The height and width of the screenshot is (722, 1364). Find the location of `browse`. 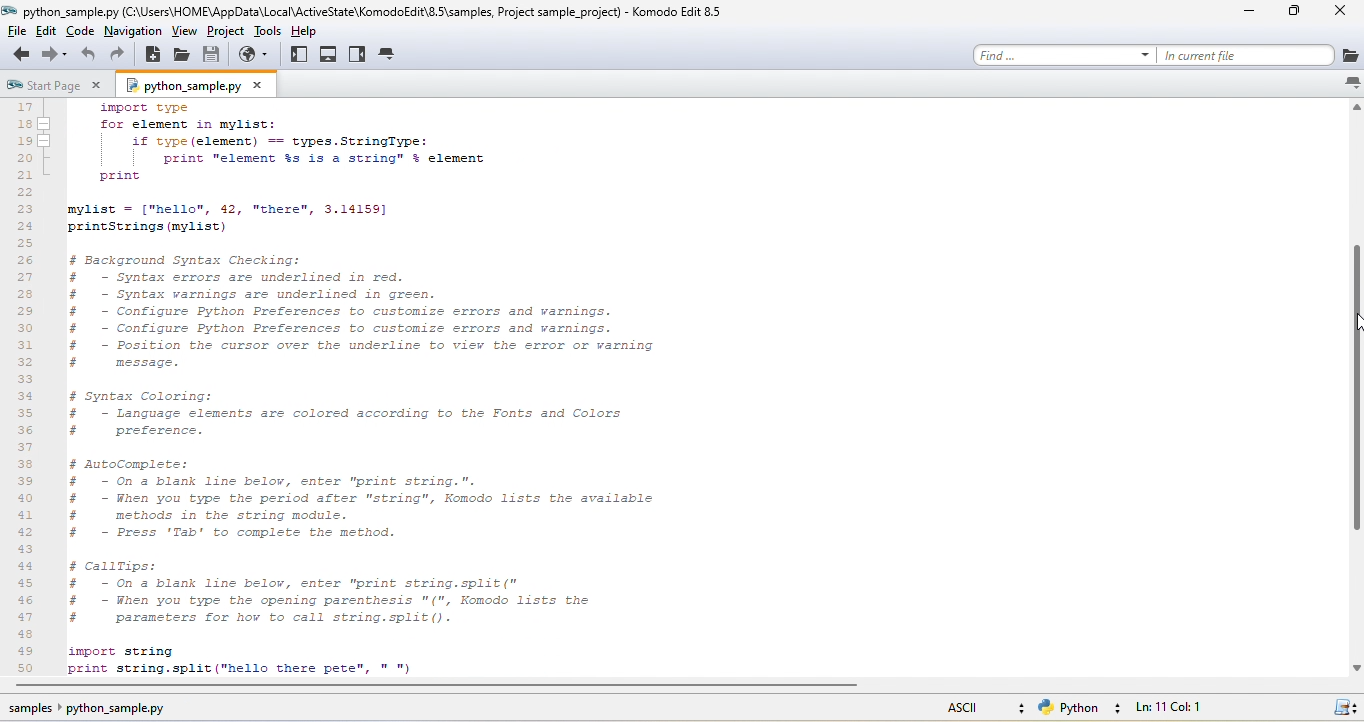

browse is located at coordinates (258, 54).